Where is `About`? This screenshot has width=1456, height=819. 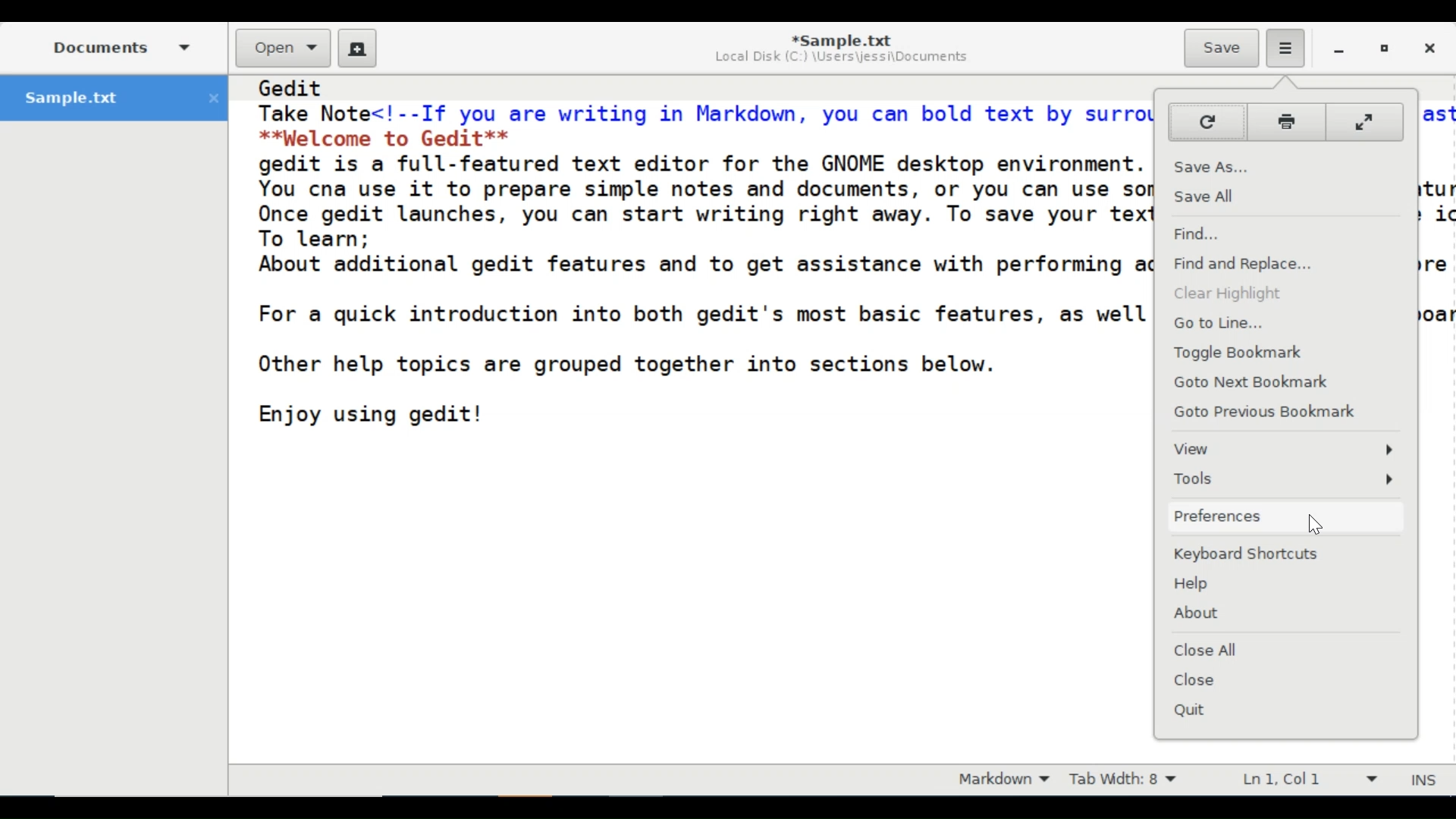
About is located at coordinates (1199, 612).